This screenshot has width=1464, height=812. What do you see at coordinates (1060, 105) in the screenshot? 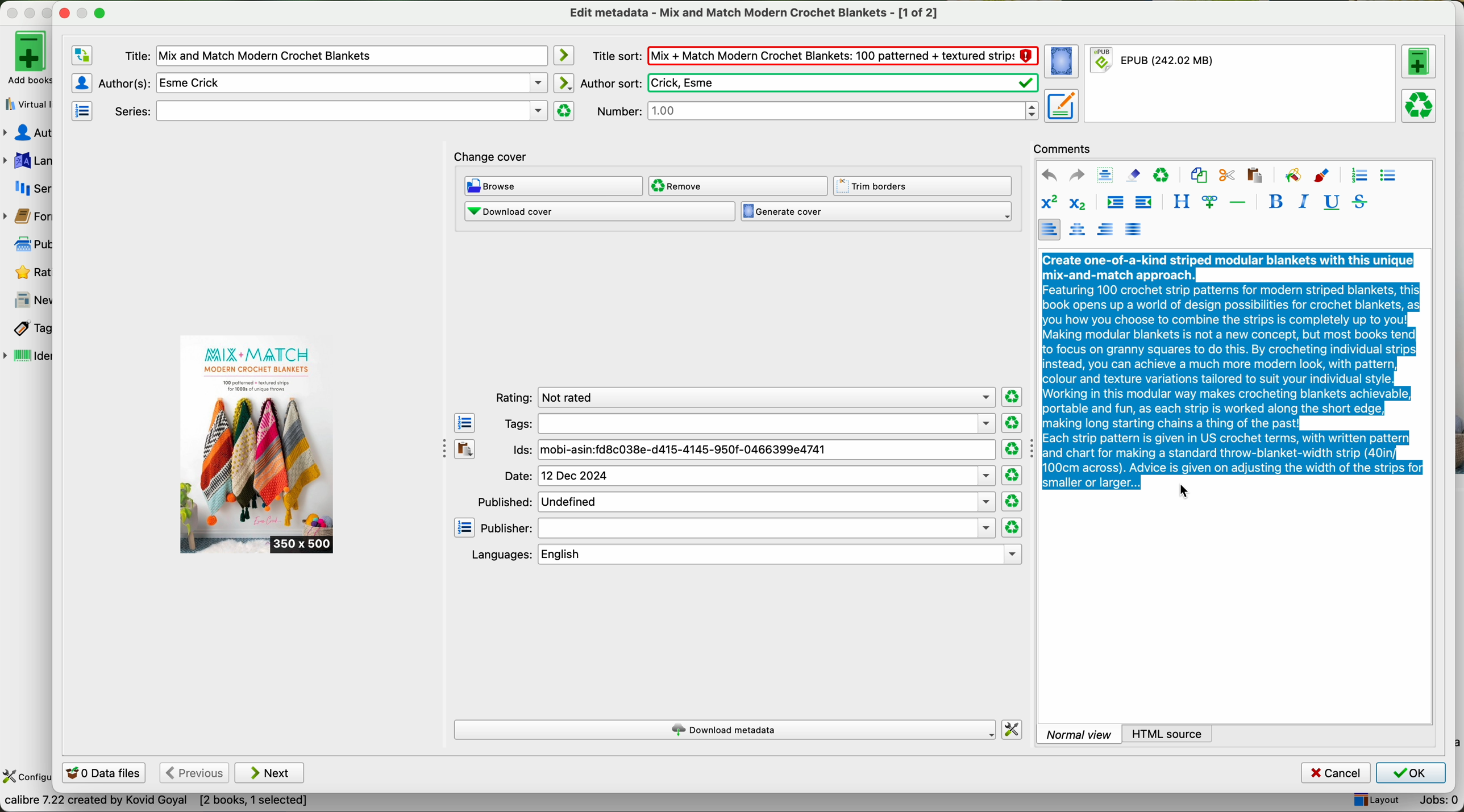
I see `set metadata for the book` at bounding box center [1060, 105].